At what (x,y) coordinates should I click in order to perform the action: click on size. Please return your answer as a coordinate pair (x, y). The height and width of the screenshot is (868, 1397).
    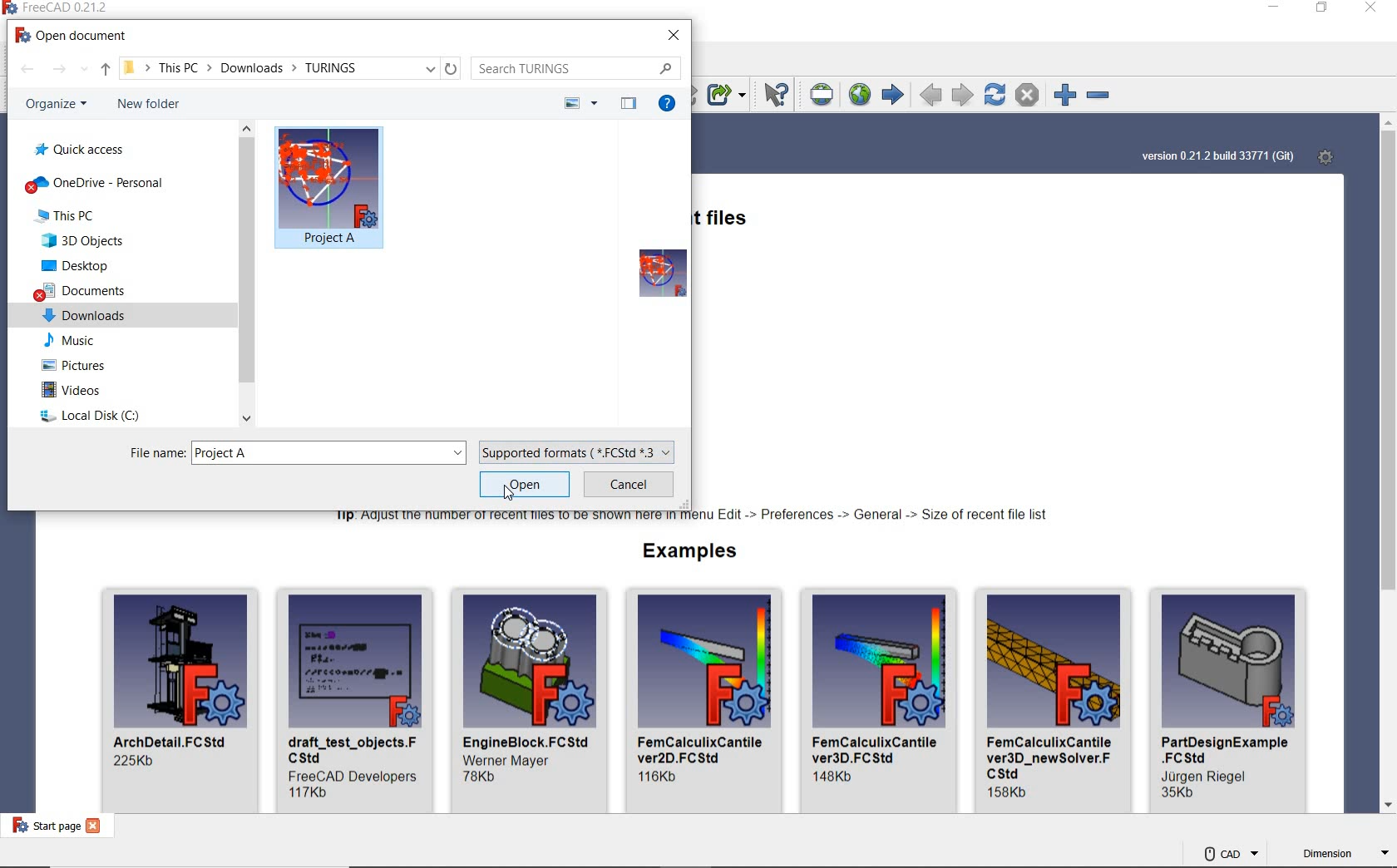
    Looking at the image, I should click on (1179, 795).